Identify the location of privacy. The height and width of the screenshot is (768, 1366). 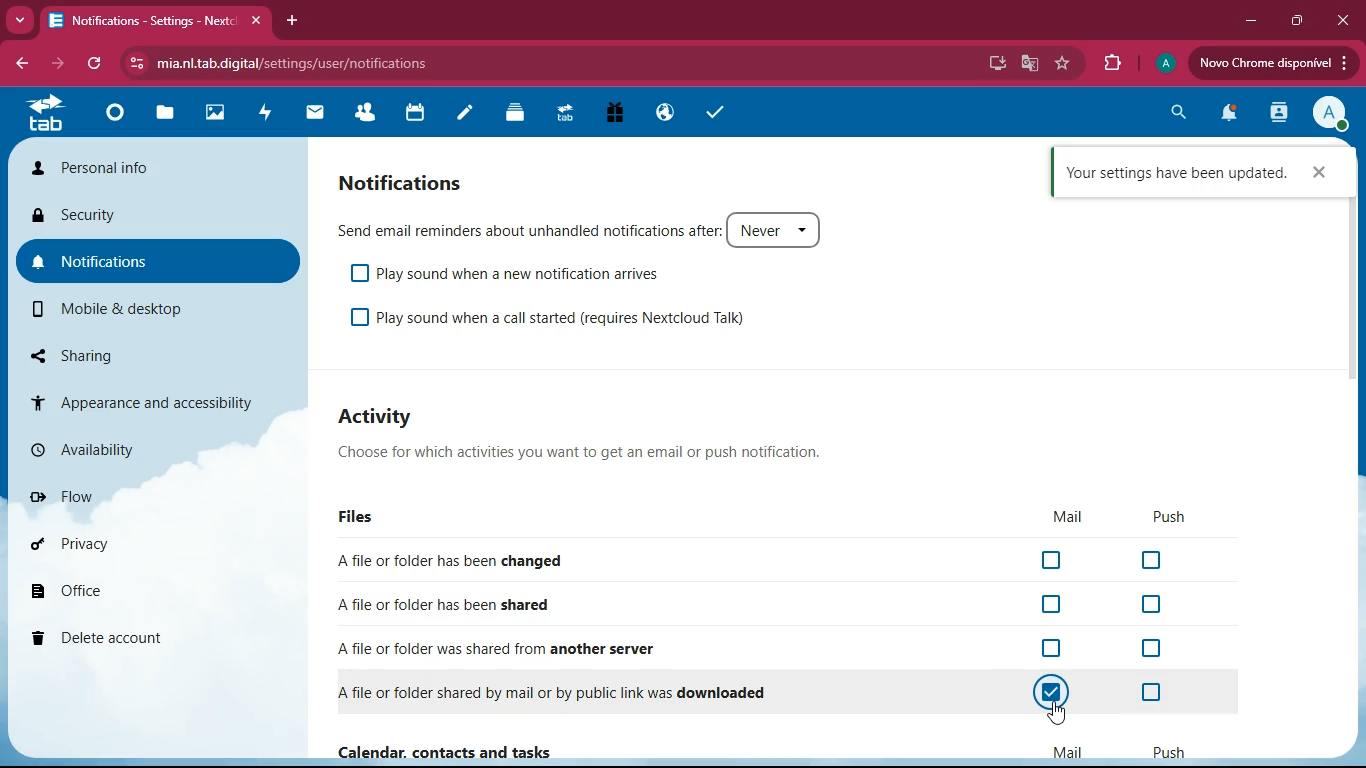
(121, 541).